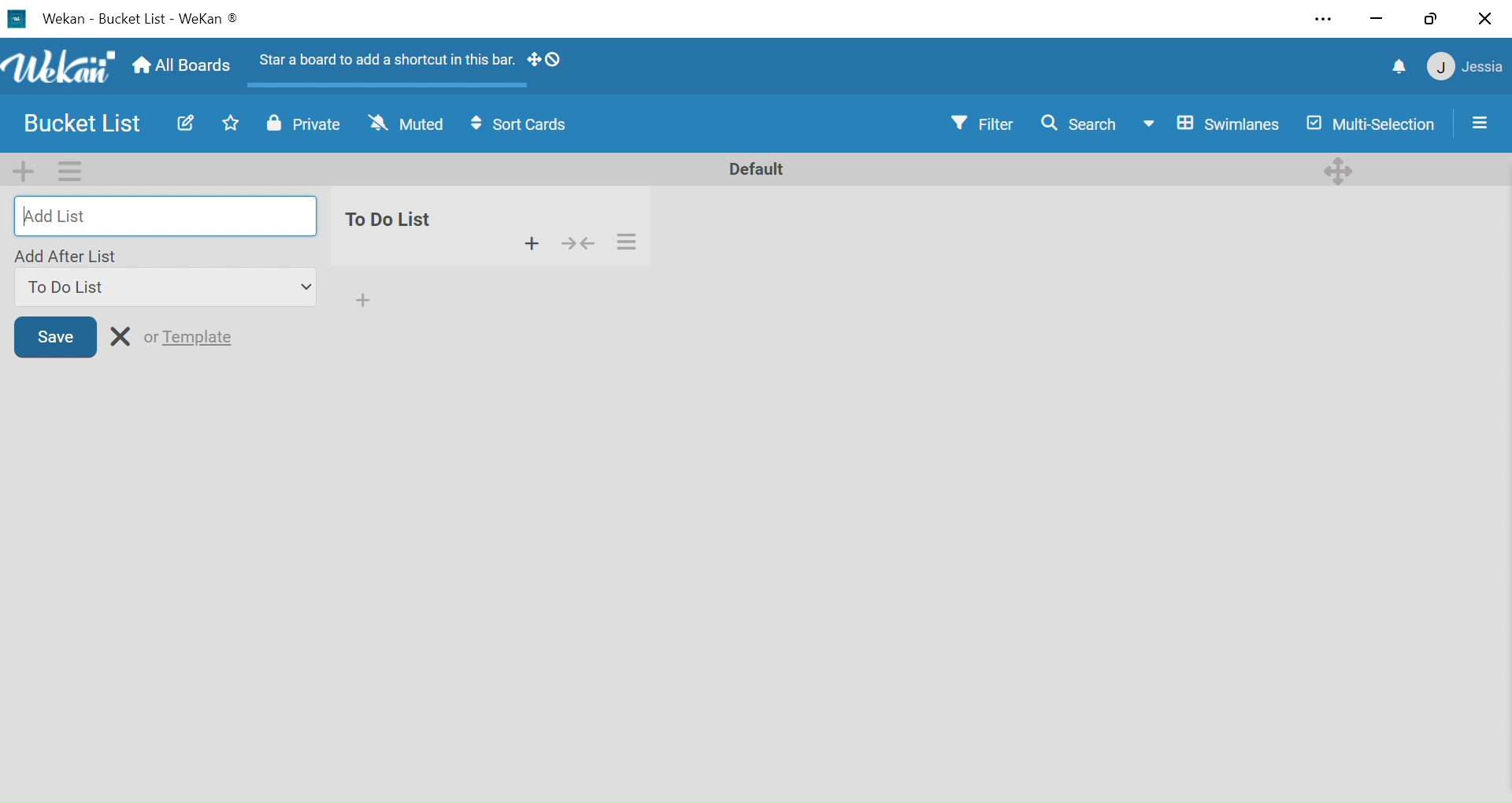  I want to click on multi-Selection, so click(1369, 124).